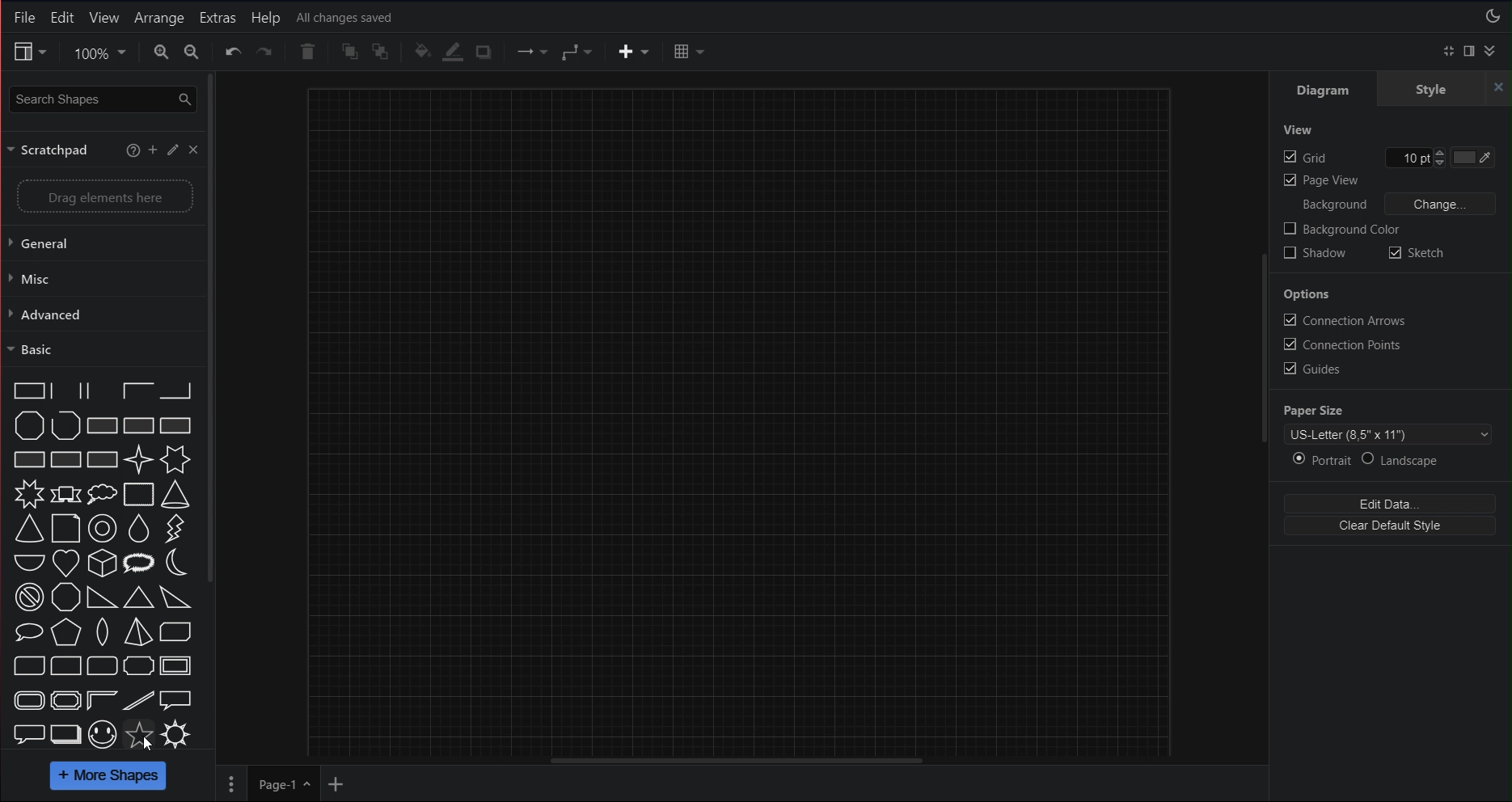 The width and height of the screenshot is (1512, 802). What do you see at coordinates (264, 19) in the screenshot?
I see `Help` at bounding box center [264, 19].